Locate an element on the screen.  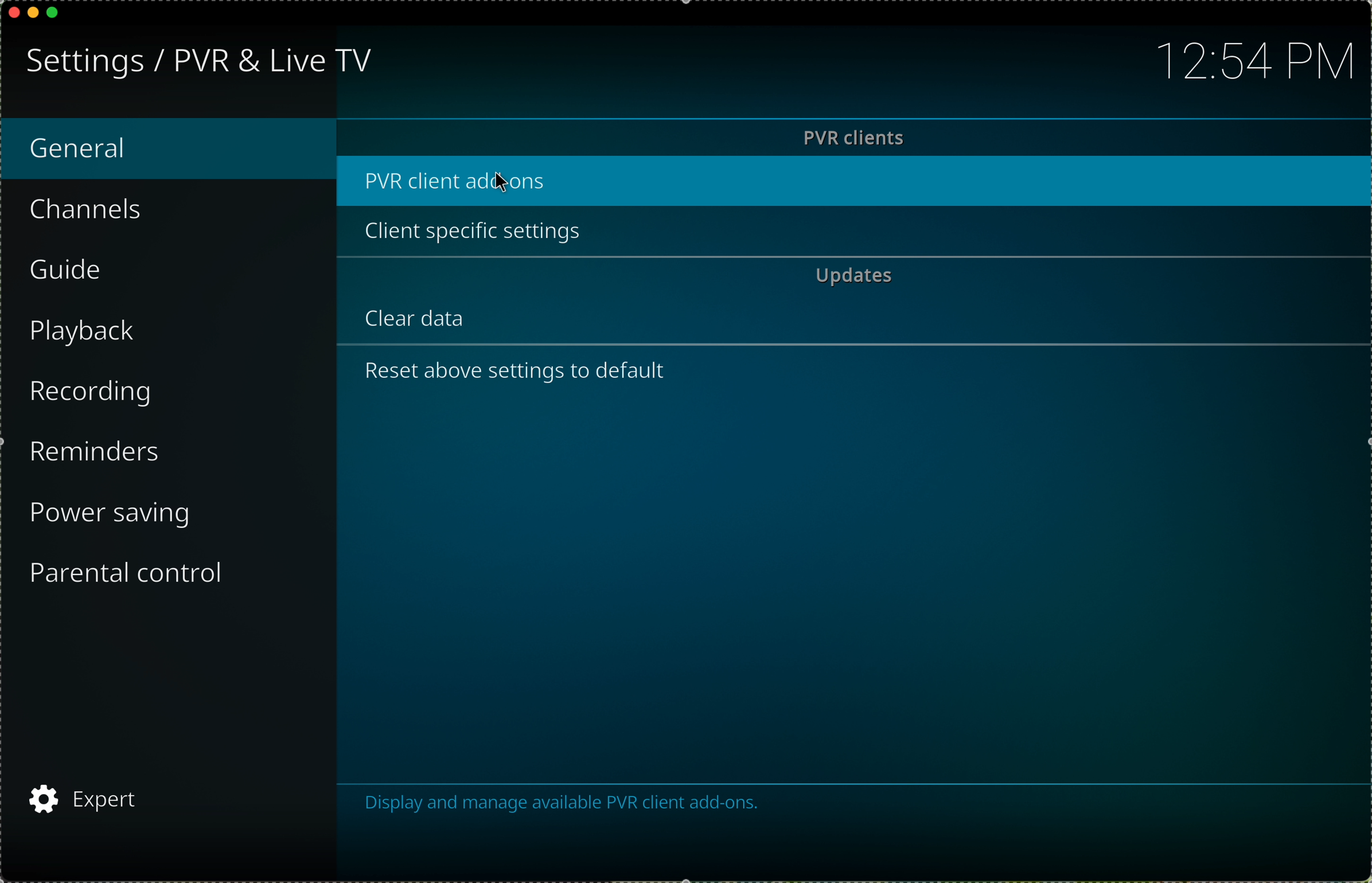
reset above settings to default is located at coordinates (521, 373).